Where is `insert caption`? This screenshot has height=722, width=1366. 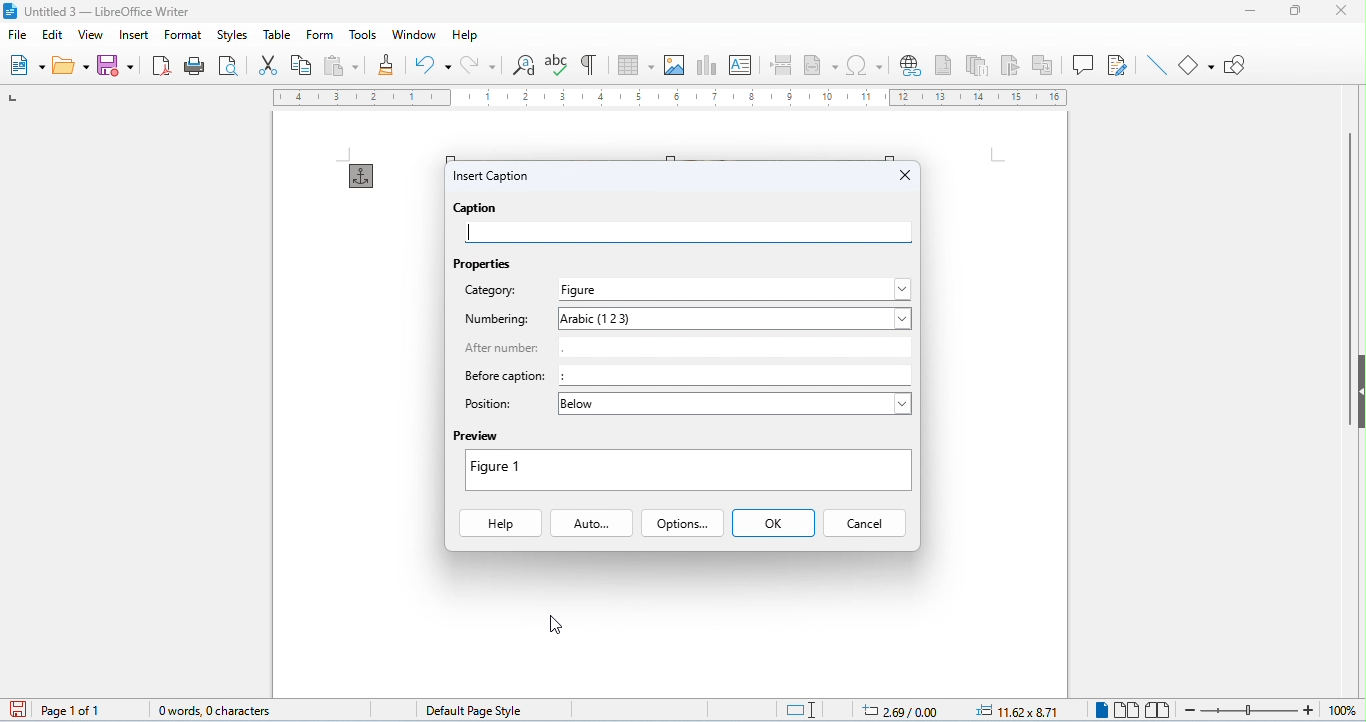
insert caption is located at coordinates (495, 178).